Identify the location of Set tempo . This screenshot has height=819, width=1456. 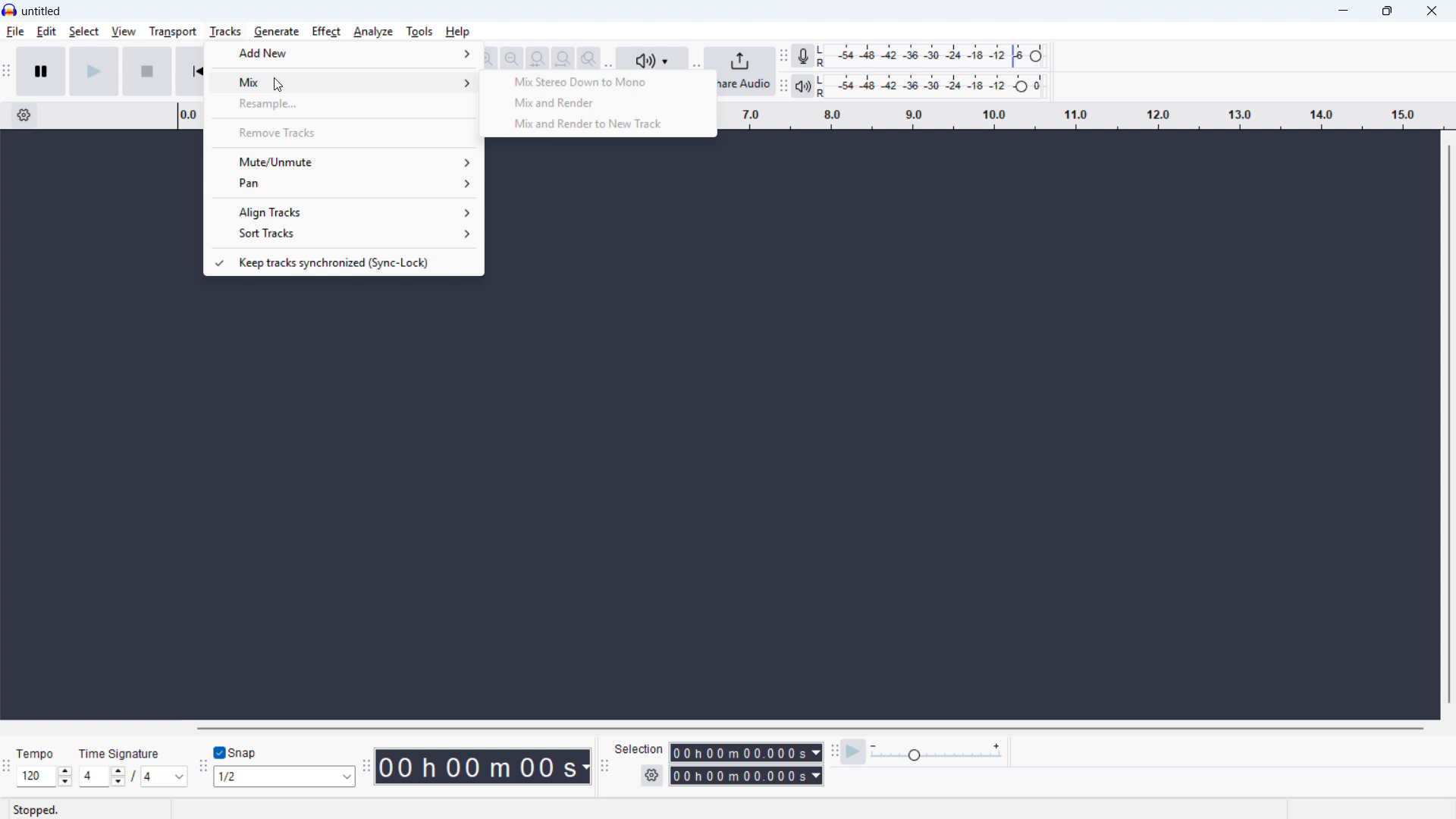
(44, 777).